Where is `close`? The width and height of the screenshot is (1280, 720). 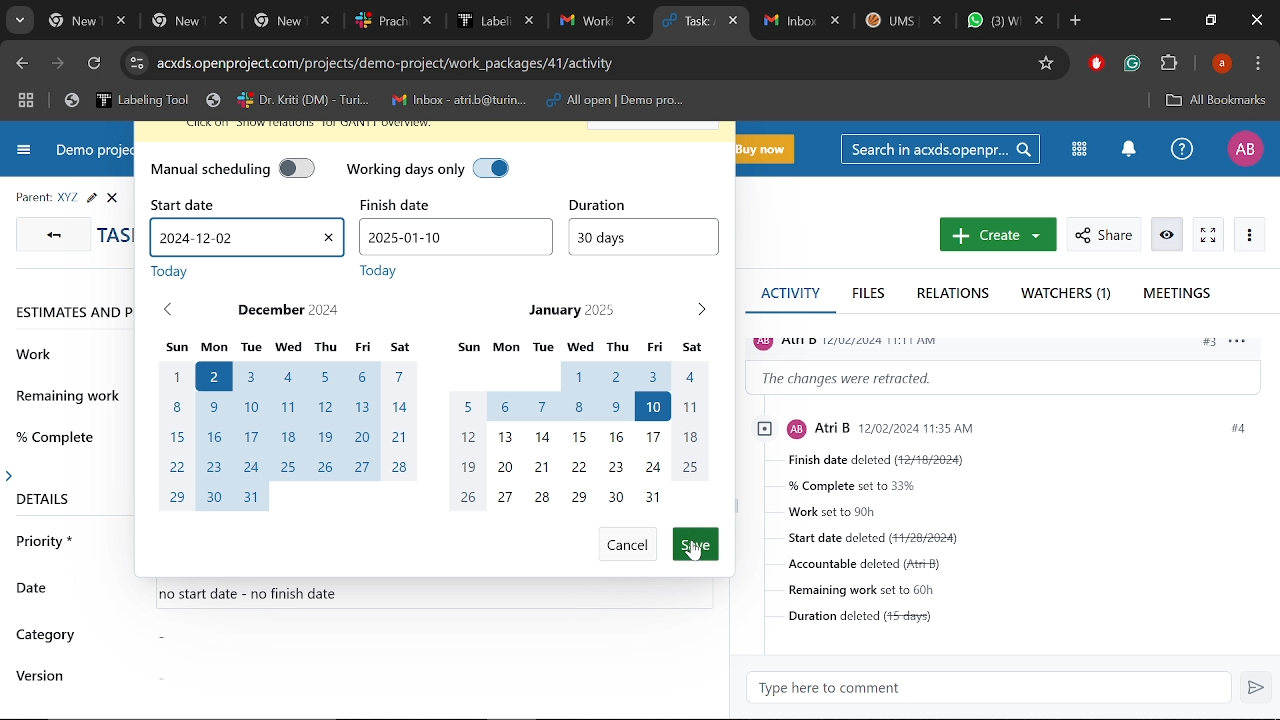
close is located at coordinates (116, 199).